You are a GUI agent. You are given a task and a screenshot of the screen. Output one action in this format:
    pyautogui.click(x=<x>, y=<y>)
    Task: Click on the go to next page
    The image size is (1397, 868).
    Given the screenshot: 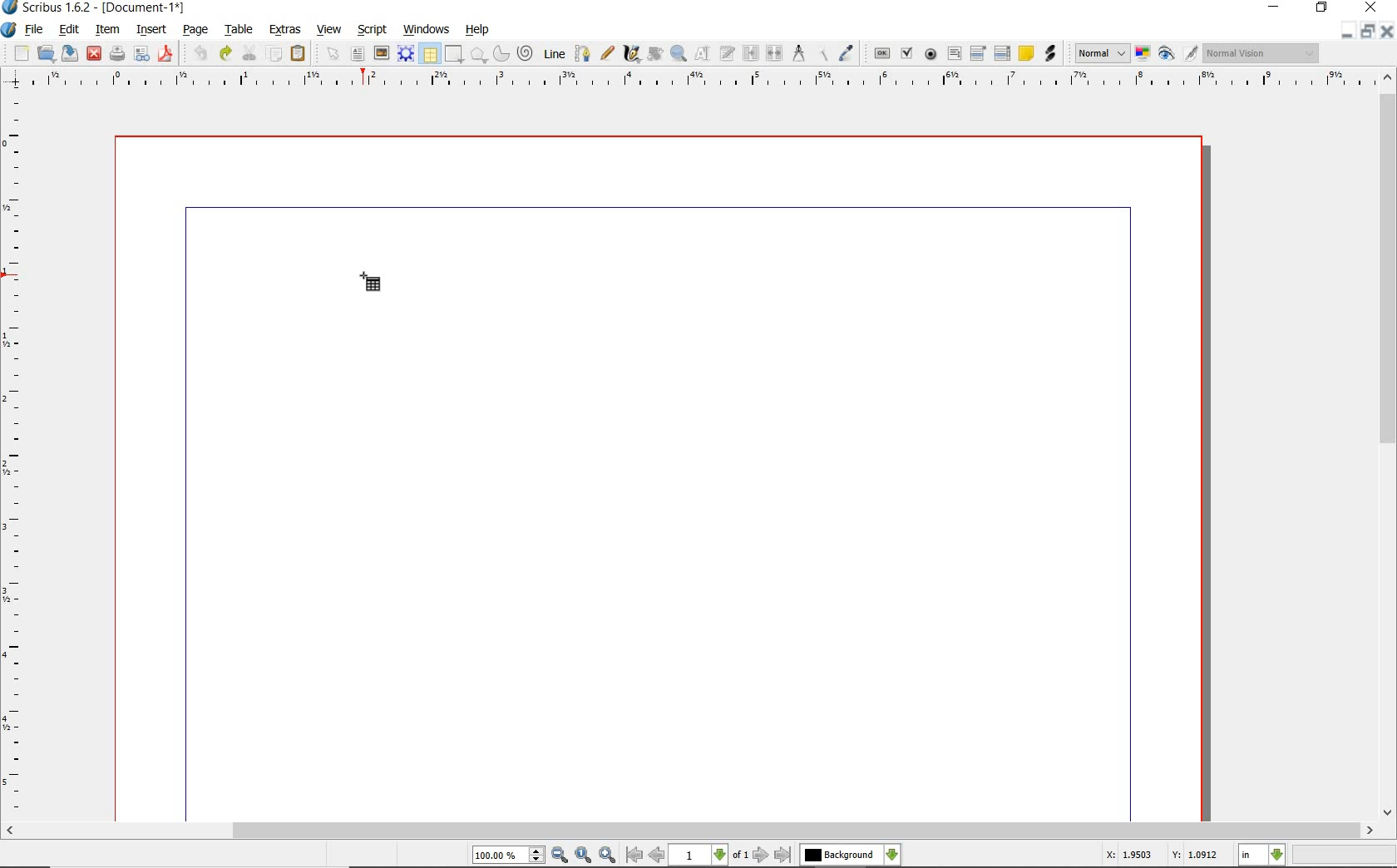 What is the action you would take?
    pyautogui.click(x=761, y=855)
    